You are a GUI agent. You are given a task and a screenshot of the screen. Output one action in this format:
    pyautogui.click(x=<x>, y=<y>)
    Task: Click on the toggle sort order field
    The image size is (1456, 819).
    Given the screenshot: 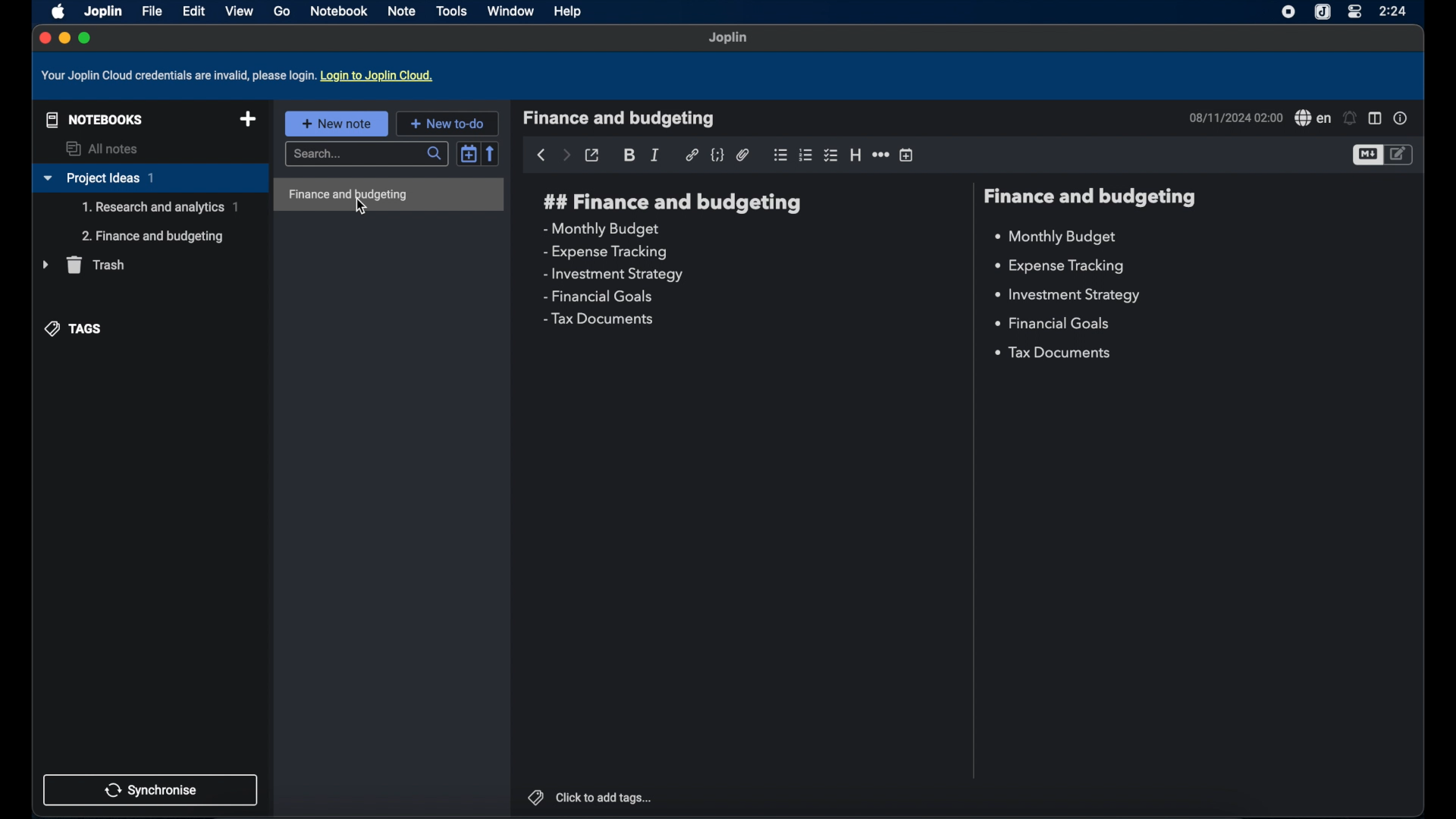 What is the action you would take?
    pyautogui.click(x=469, y=152)
    